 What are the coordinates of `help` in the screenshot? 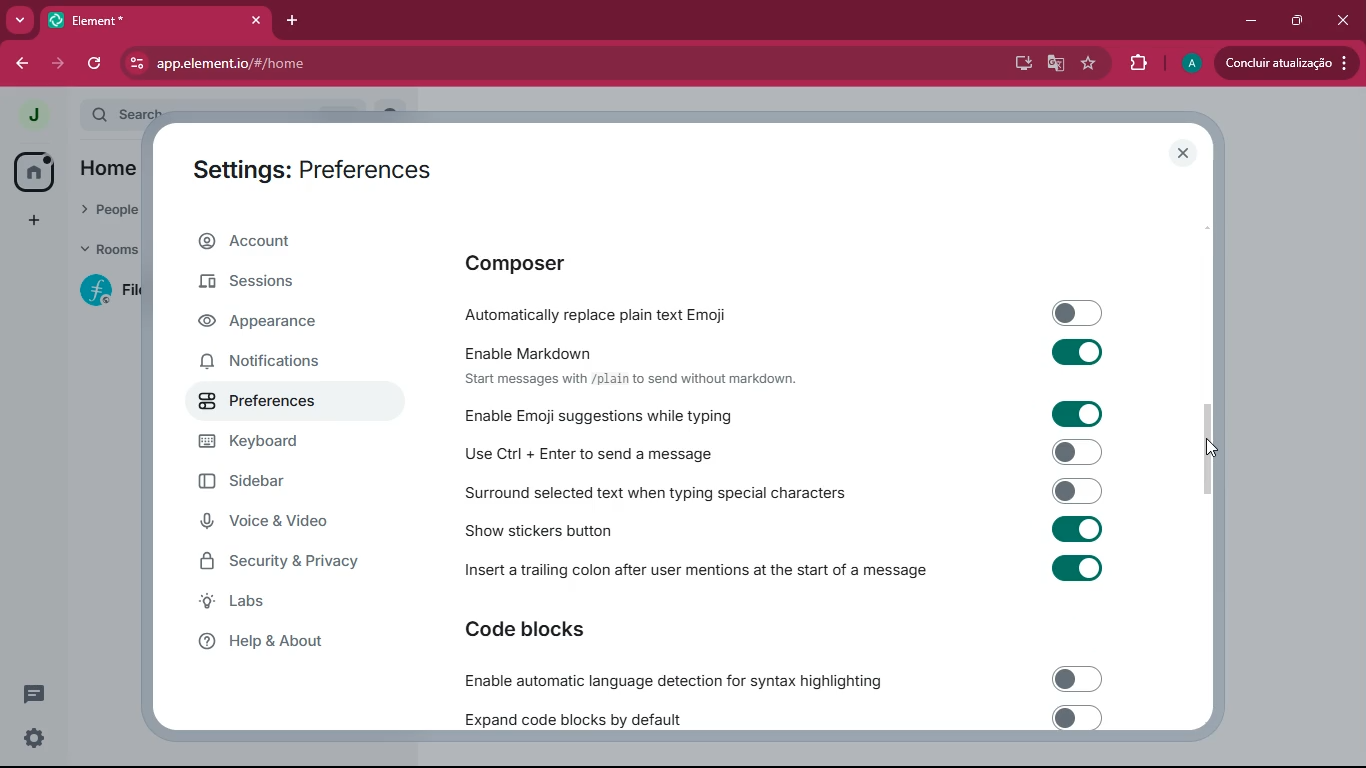 It's located at (288, 643).